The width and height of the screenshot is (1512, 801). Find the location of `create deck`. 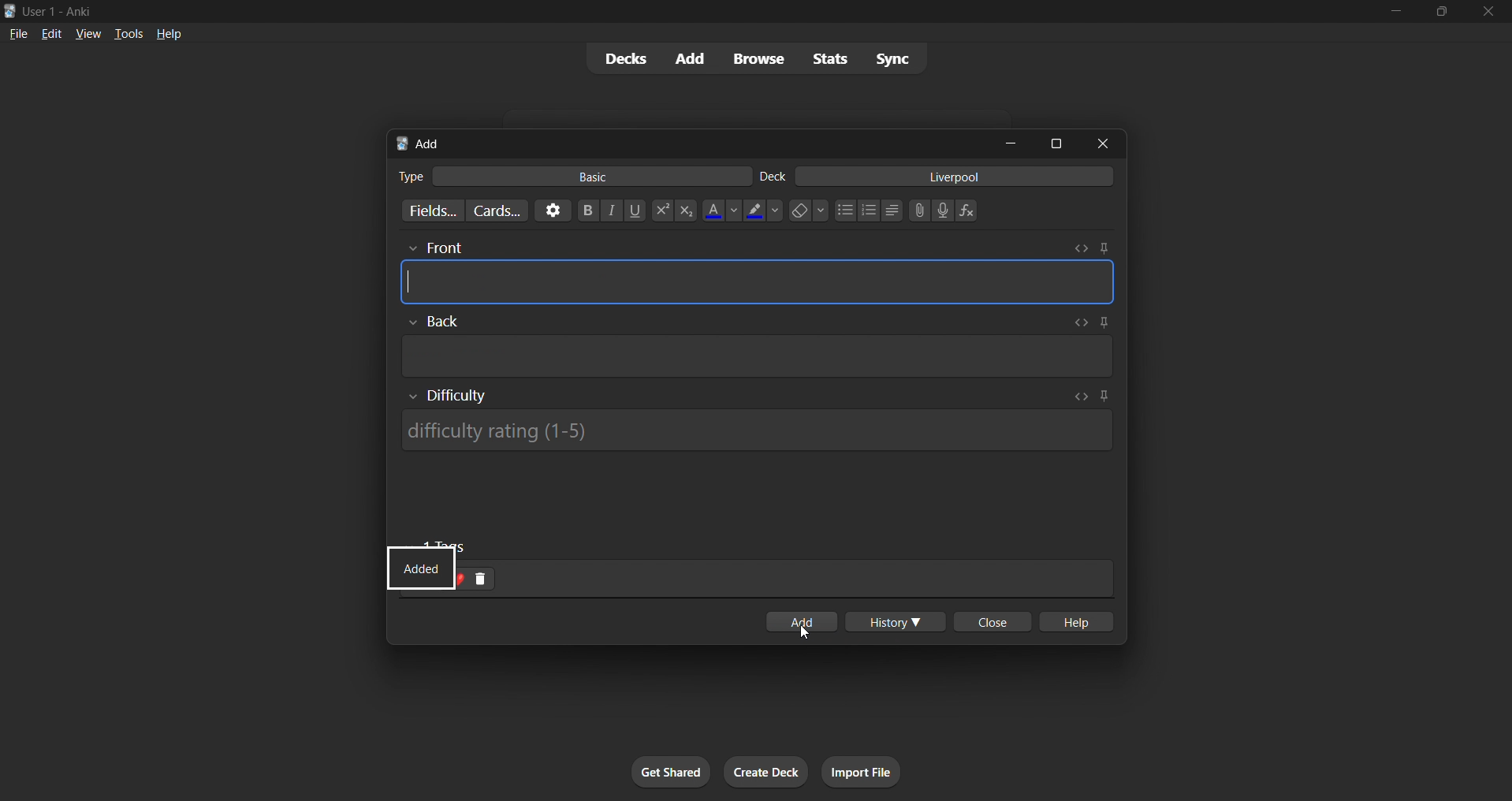

create deck is located at coordinates (767, 773).